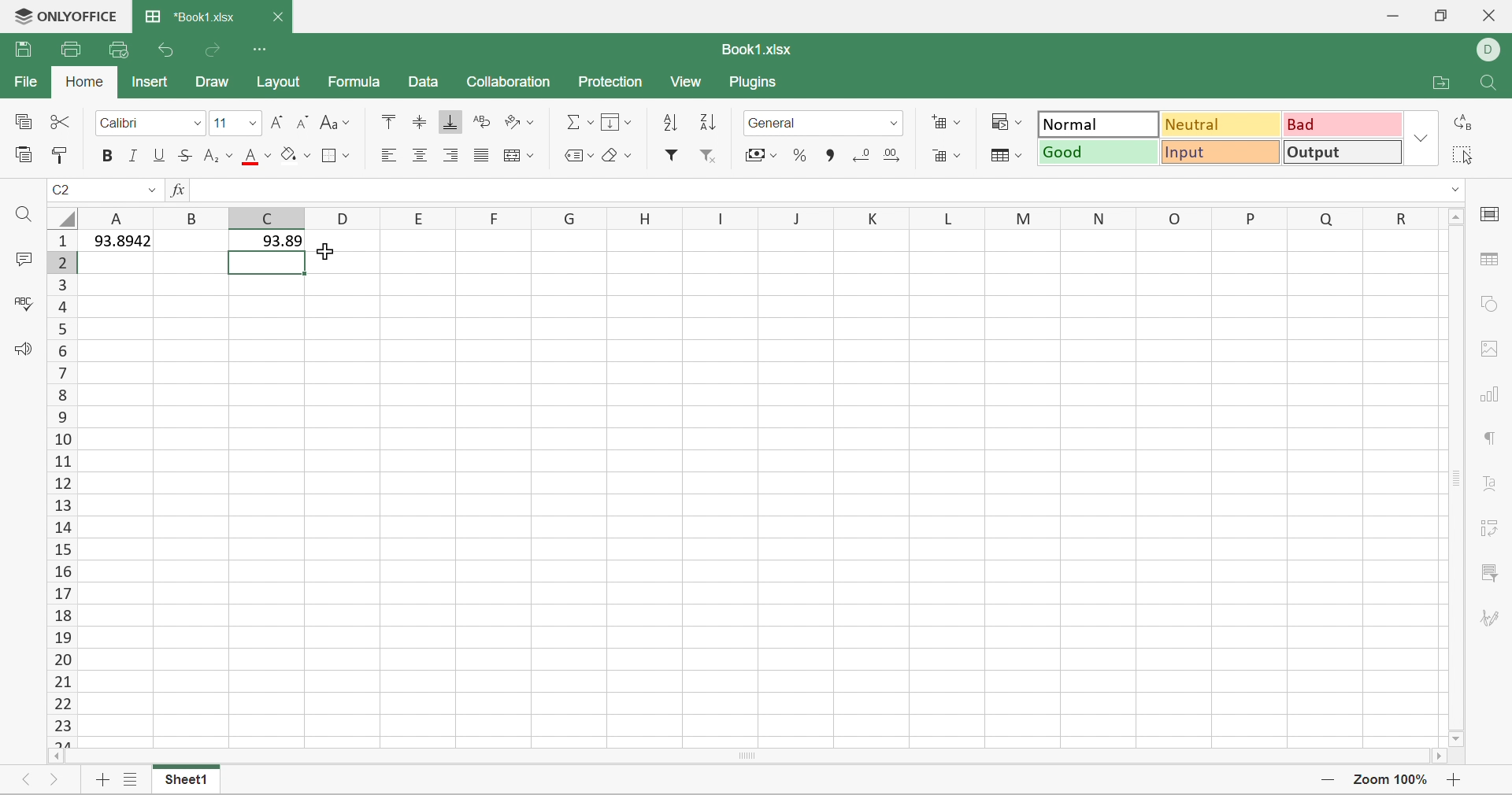 The width and height of the screenshot is (1512, 795). What do you see at coordinates (1494, 527) in the screenshot?
I see `Pivot Table settings` at bounding box center [1494, 527].